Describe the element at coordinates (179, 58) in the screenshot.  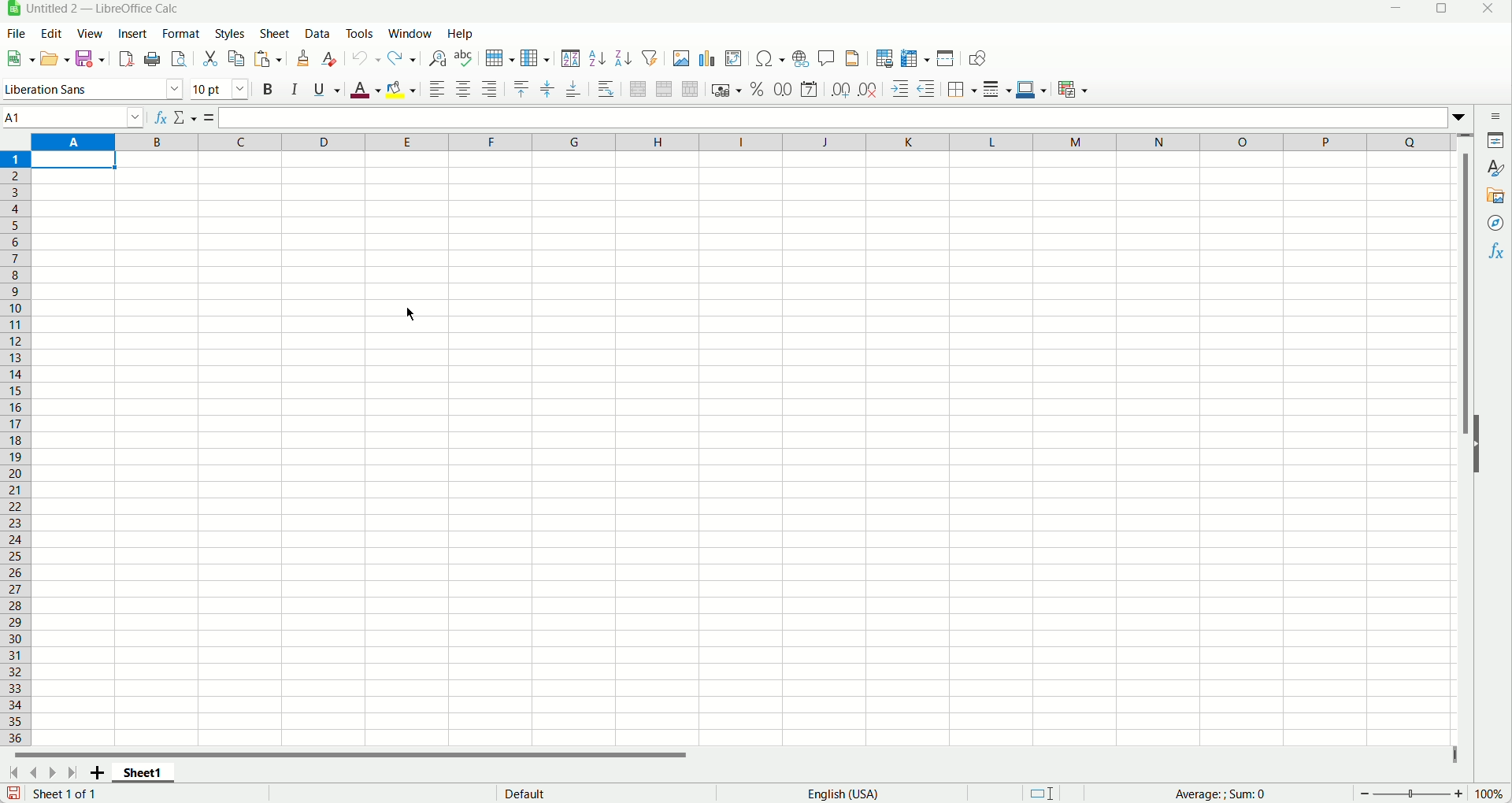
I see `Toggle print preview` at that location.